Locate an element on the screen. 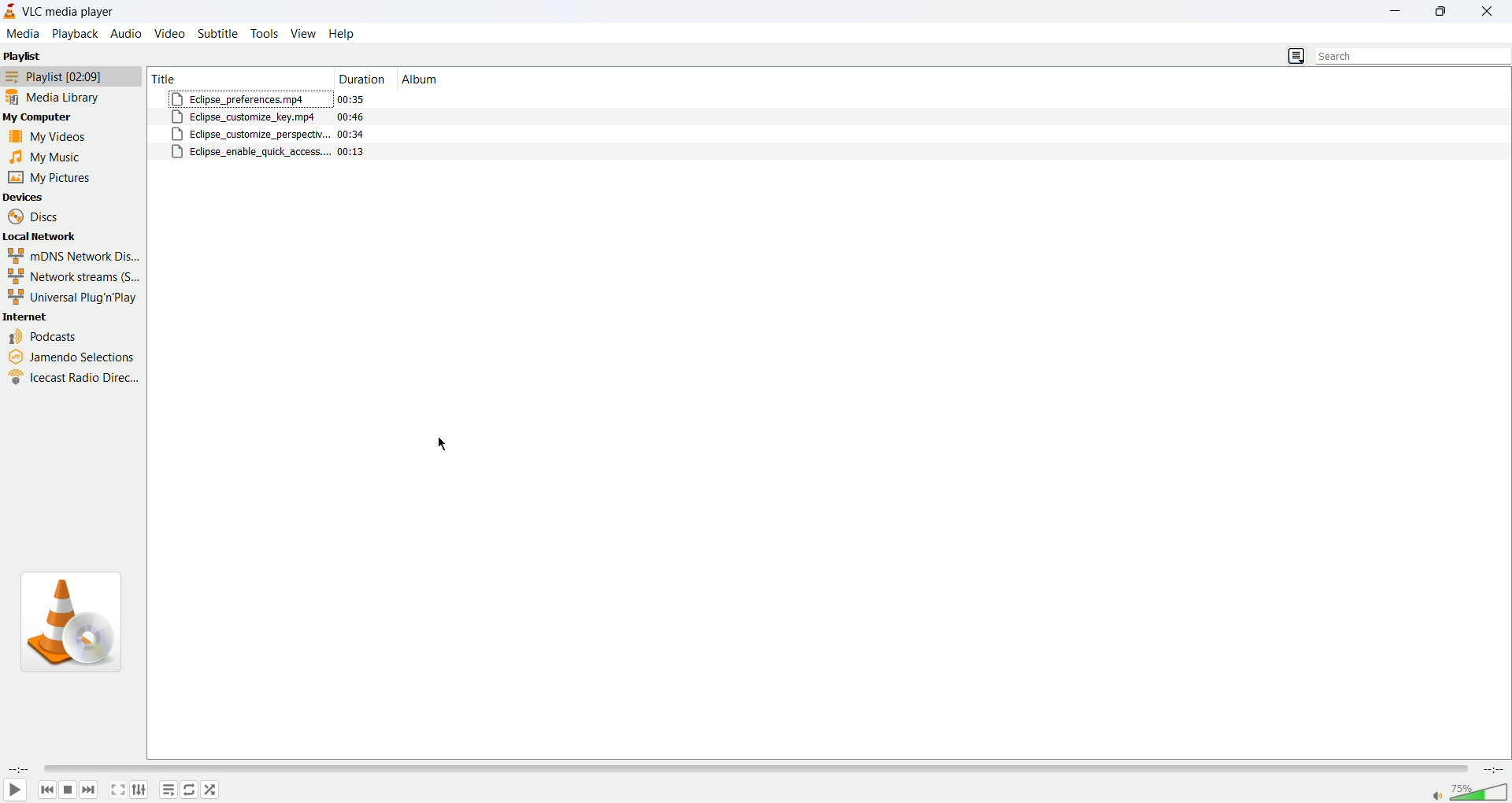 The height and width of the screenshot is (803, 1512). stop is located at coordinates (67, 790).